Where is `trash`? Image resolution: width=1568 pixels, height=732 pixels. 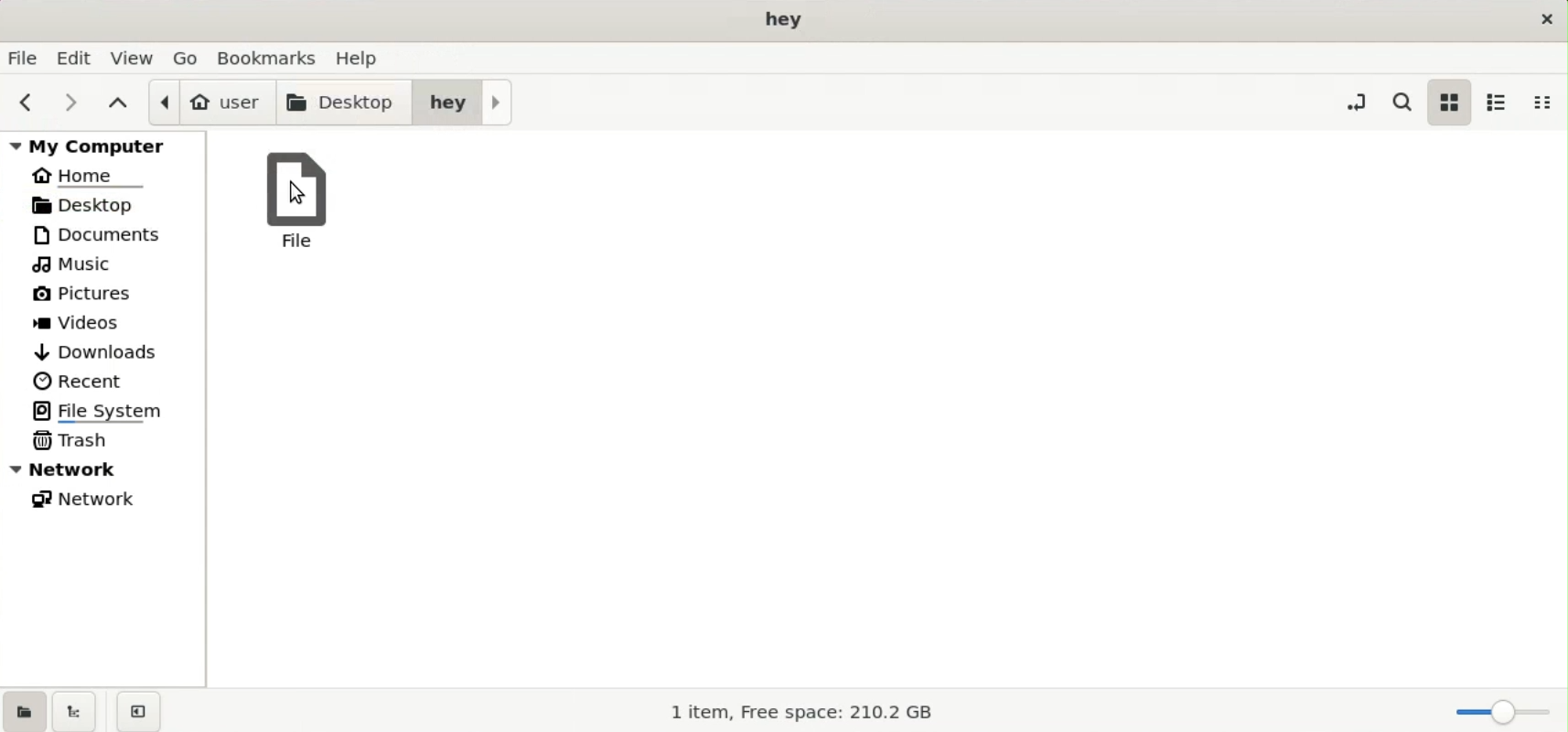
trash is located at coordinates (75, 439).